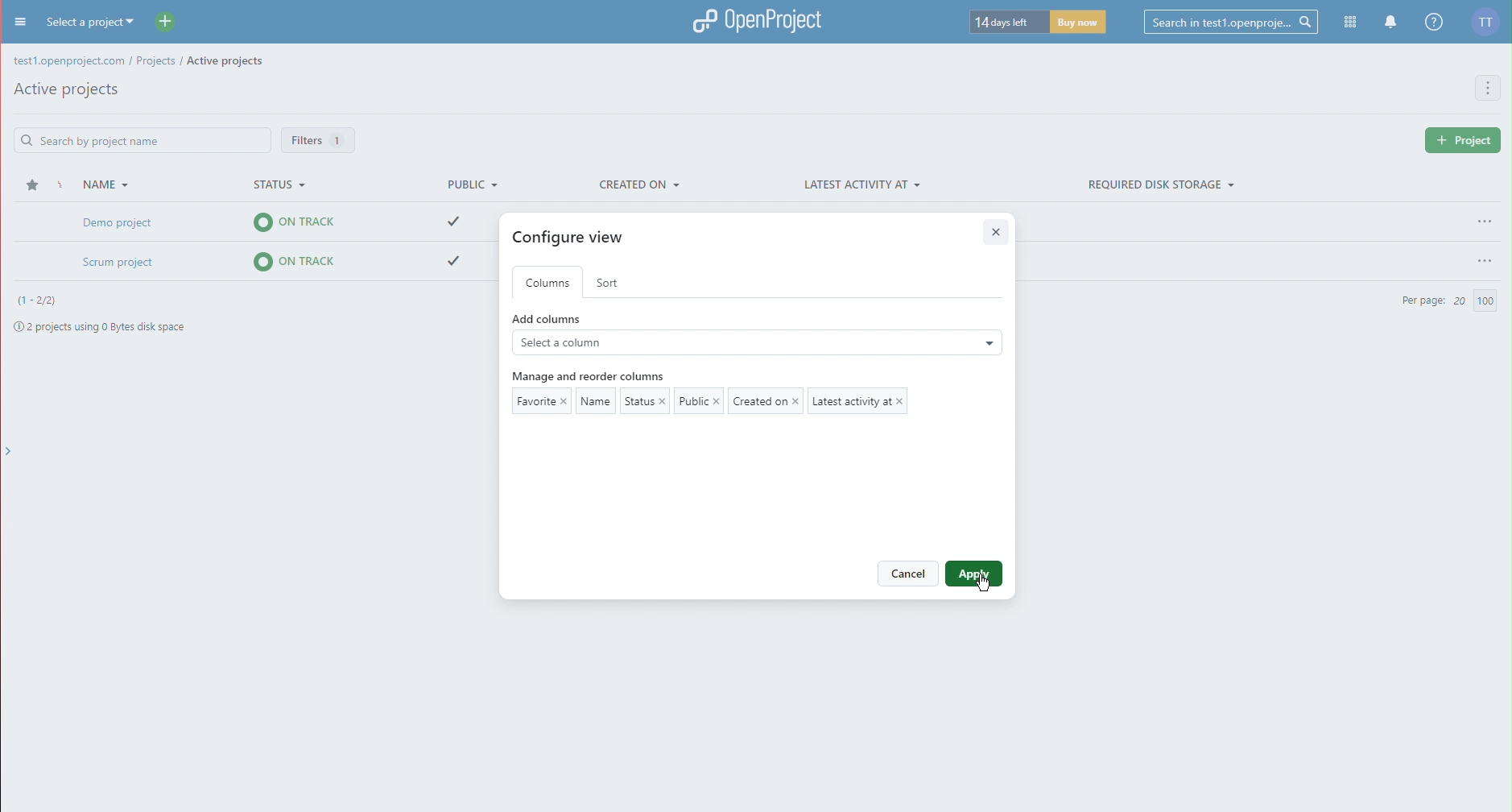 Image resolution: width=1512 pixels, height=812 pixels. I want to click on Current Columns, so click(720, 416).